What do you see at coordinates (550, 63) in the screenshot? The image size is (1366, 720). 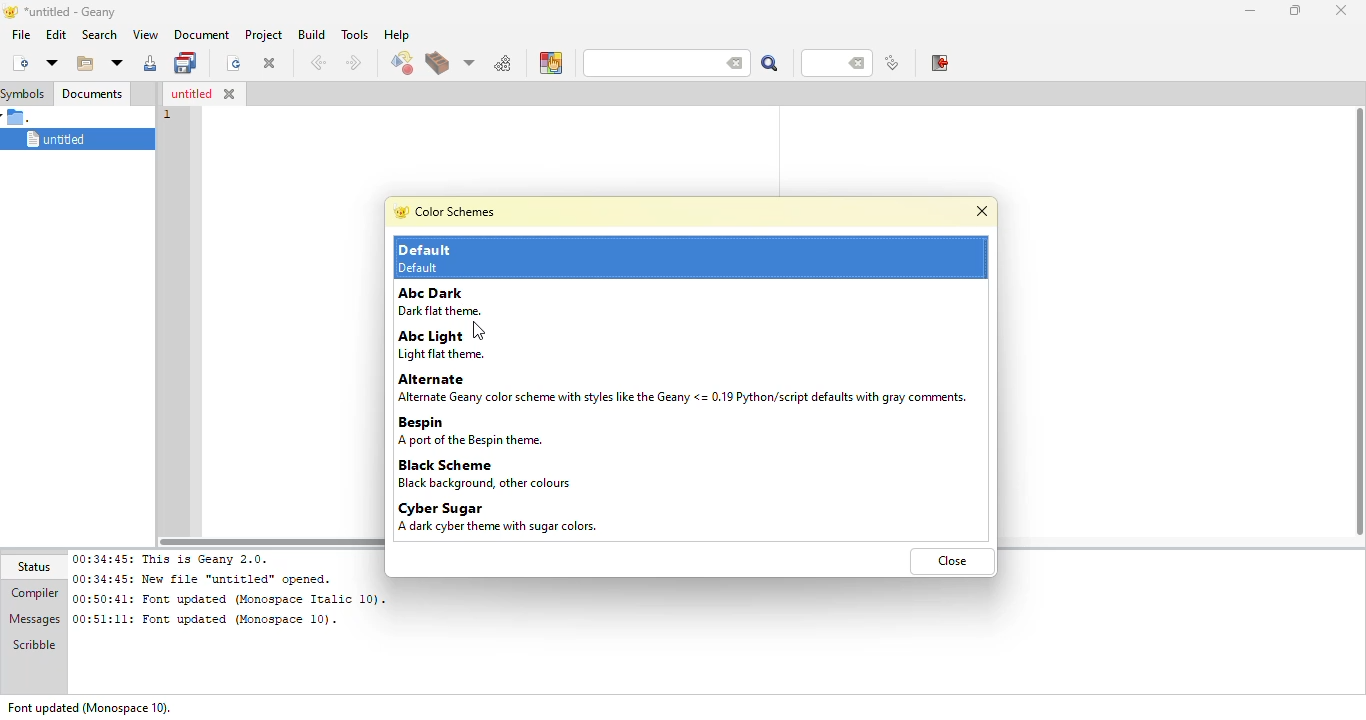 I see `color` at bounding box center [550, 63].